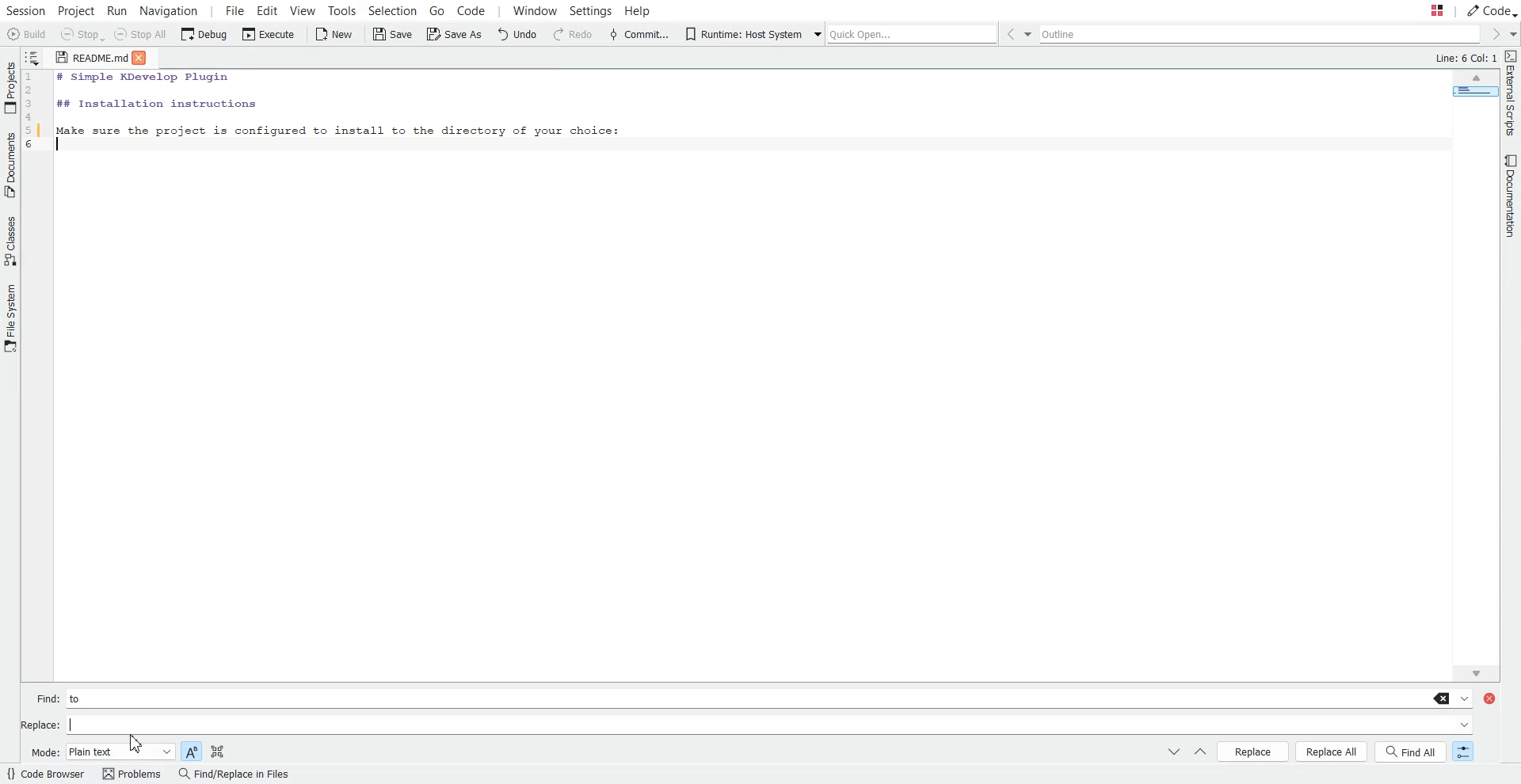 The height and width of the screenshot is (784, 1521). Describe the element at coordinates (1492, 699) in the screenshot. I see `Close Window` at that location.